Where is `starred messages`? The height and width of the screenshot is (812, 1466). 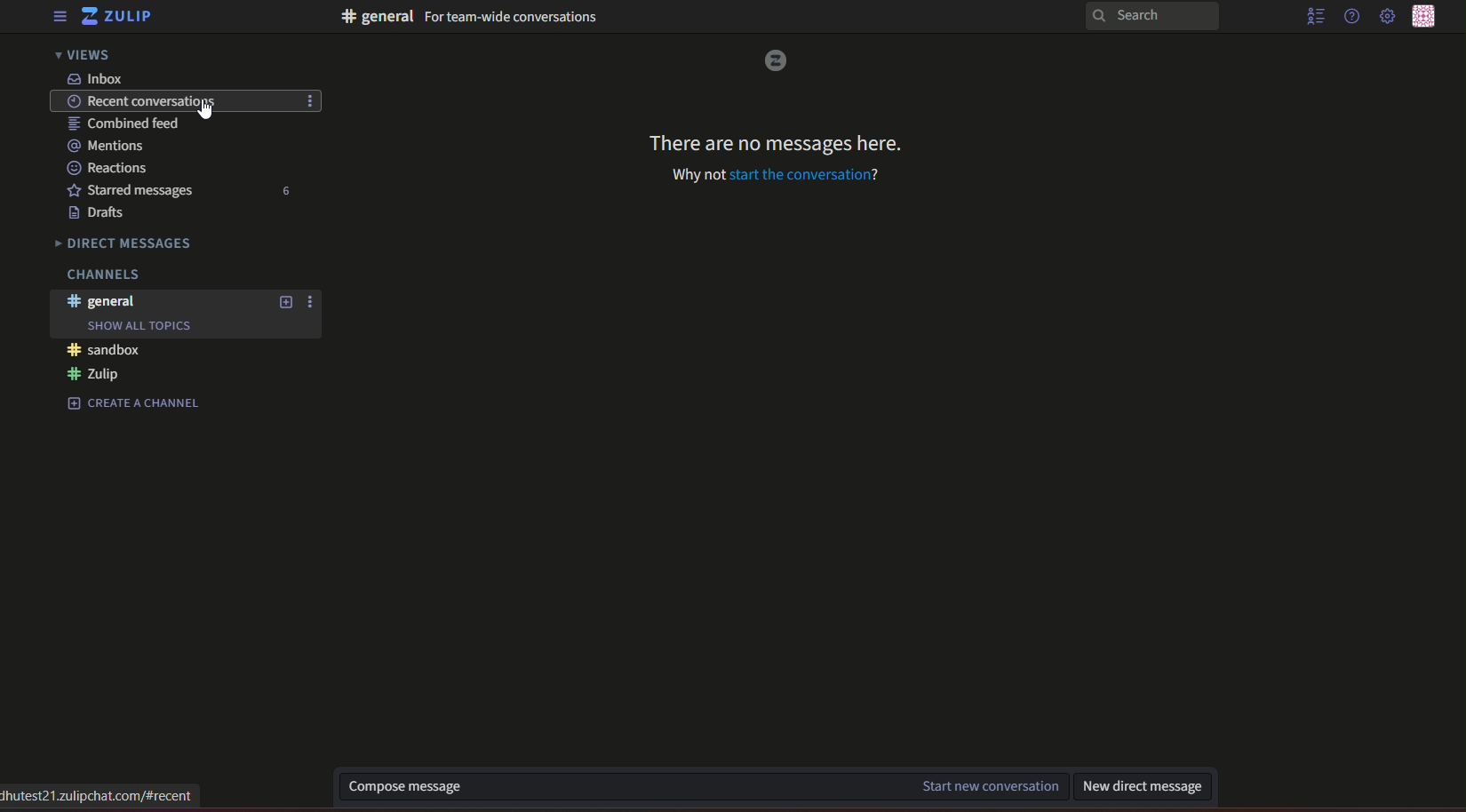 starred messages is located at coordinates (135, 187).